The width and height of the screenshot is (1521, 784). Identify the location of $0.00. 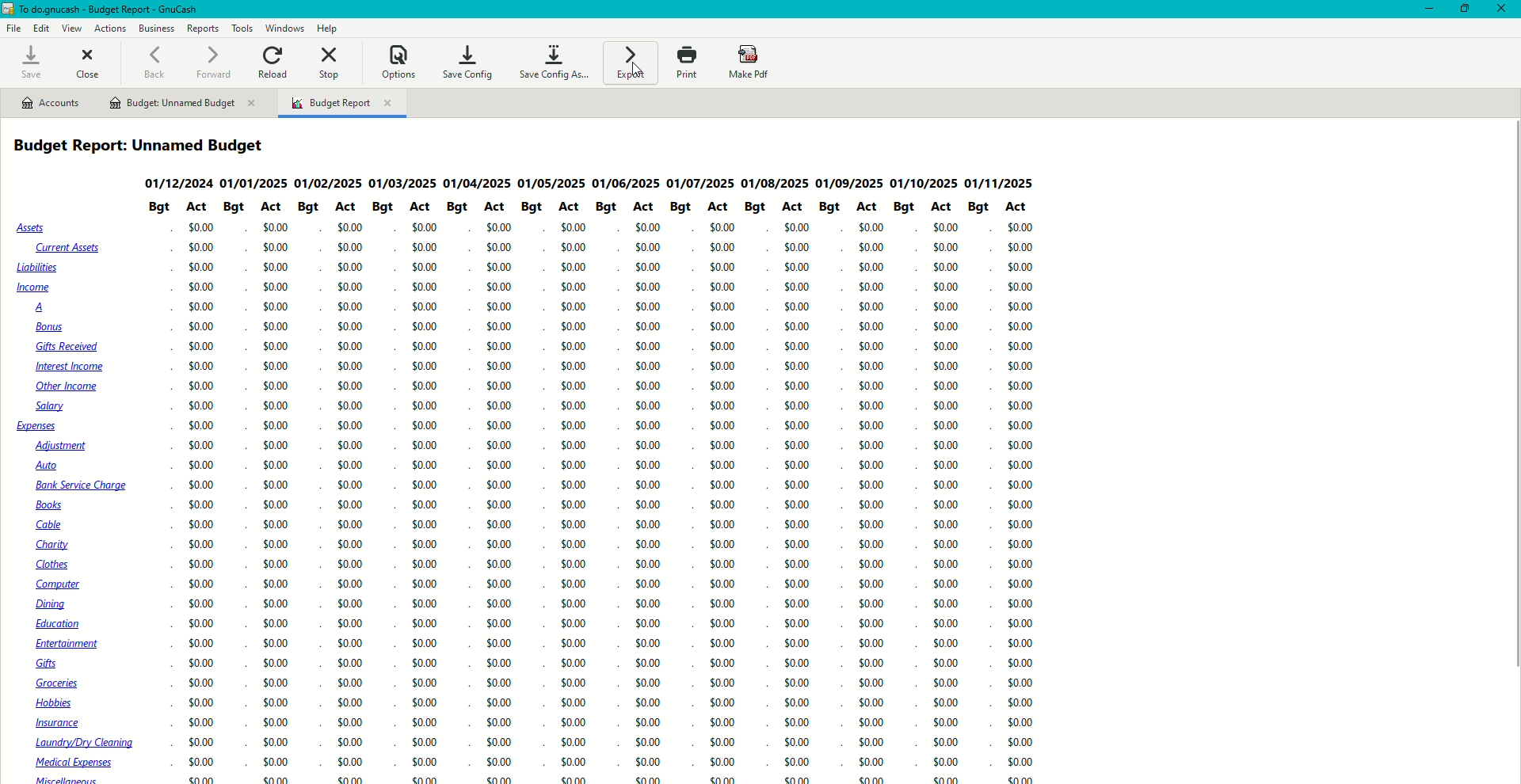
(351, 584).